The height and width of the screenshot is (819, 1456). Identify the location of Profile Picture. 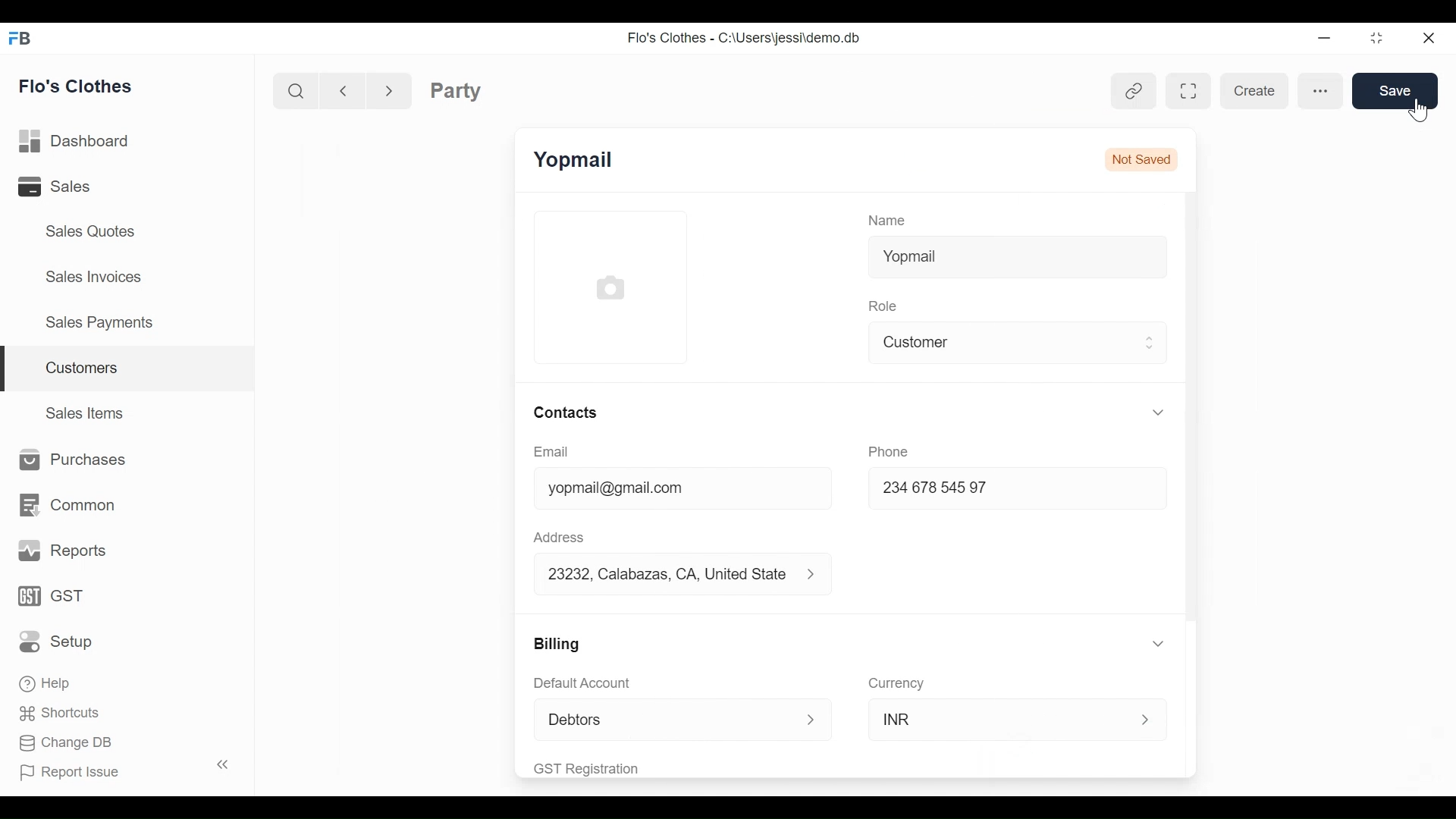
(610, 288).